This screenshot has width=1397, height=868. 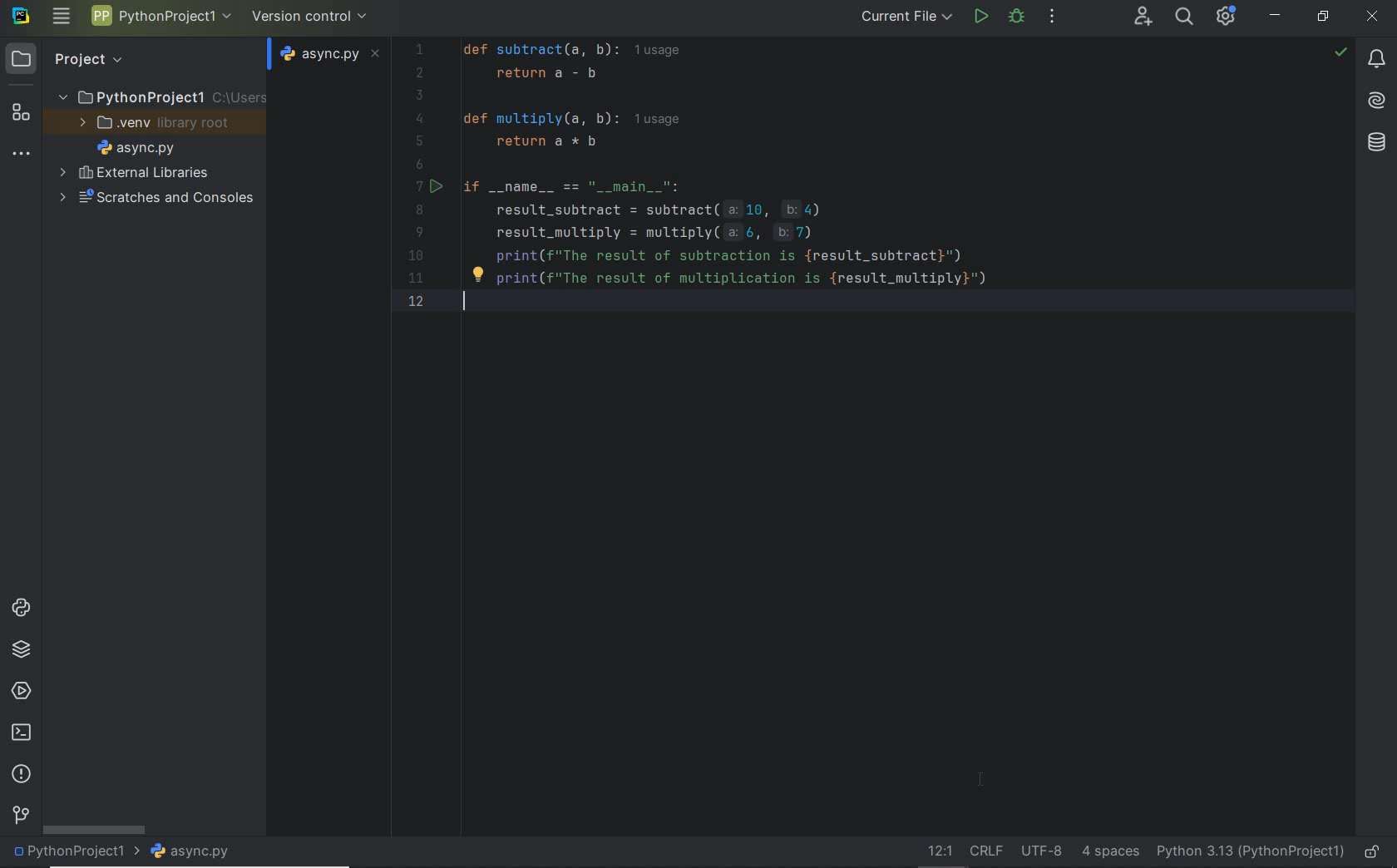 What do you see at coordinates (20, 775) in the screenshot?
I see `problems` at bounding box center [20, 775].